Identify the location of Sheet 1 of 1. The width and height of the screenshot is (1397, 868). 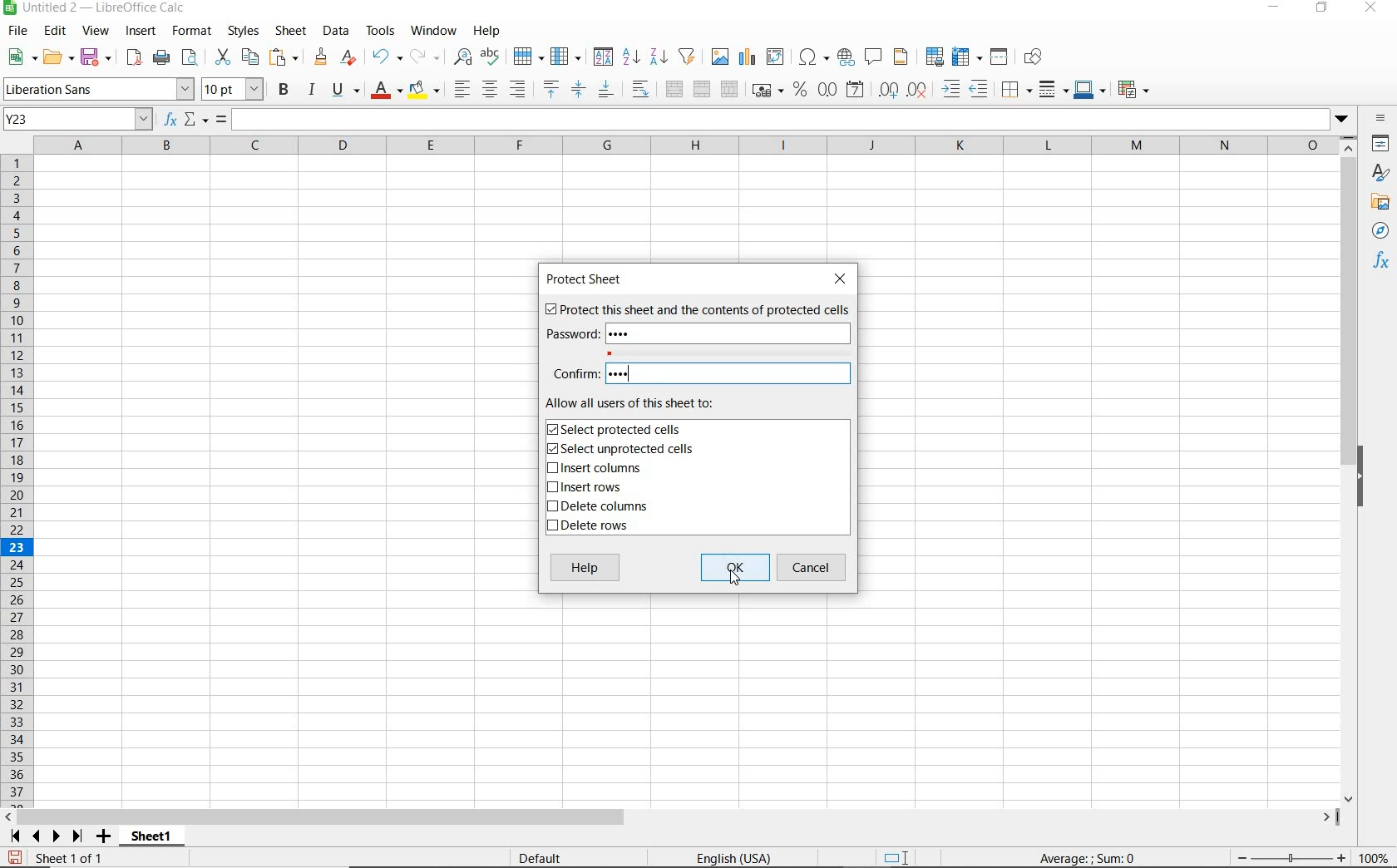
(57, 858).